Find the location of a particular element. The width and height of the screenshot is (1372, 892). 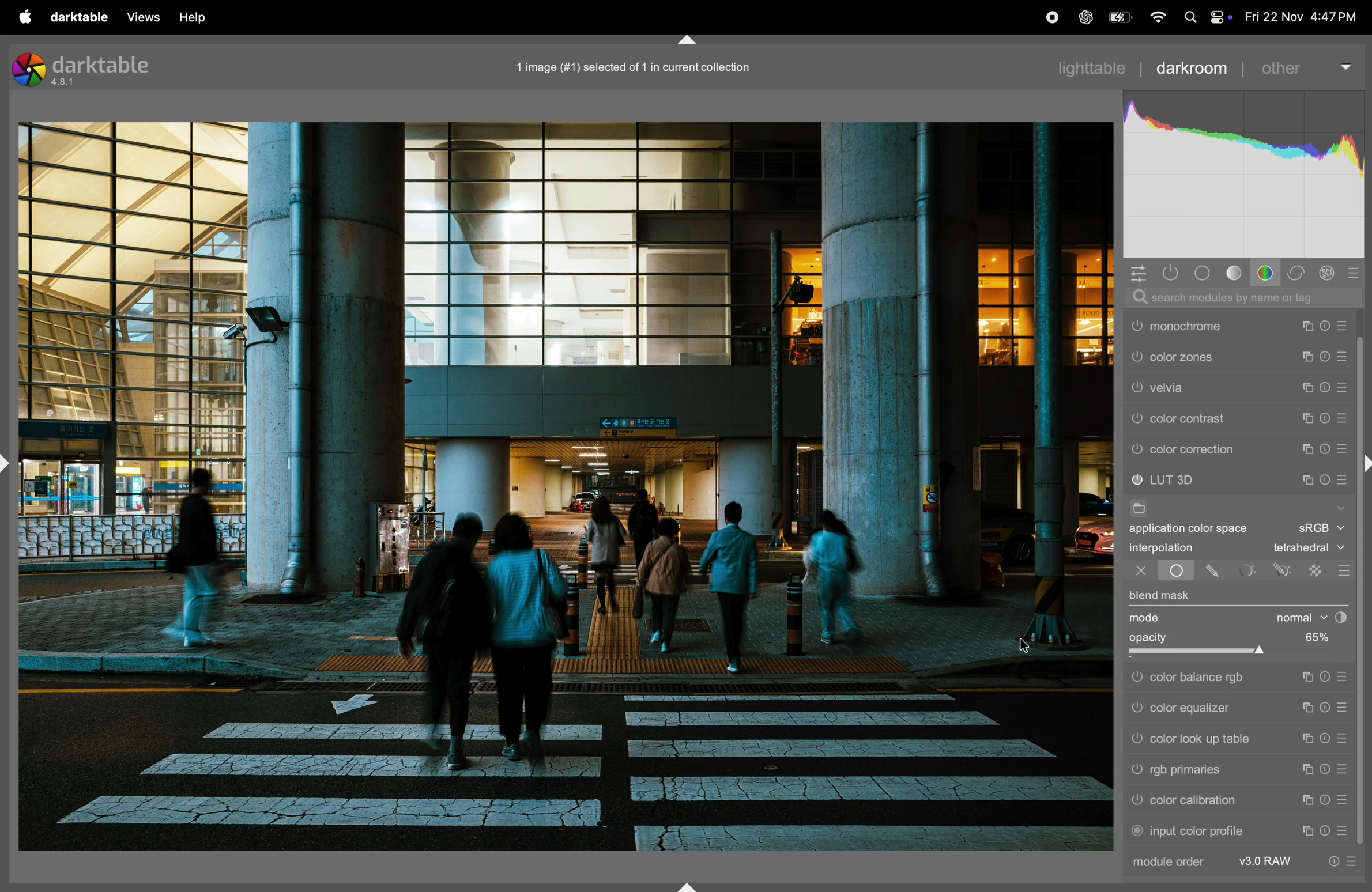

tetraheral is located at coordinates (1305, 549).